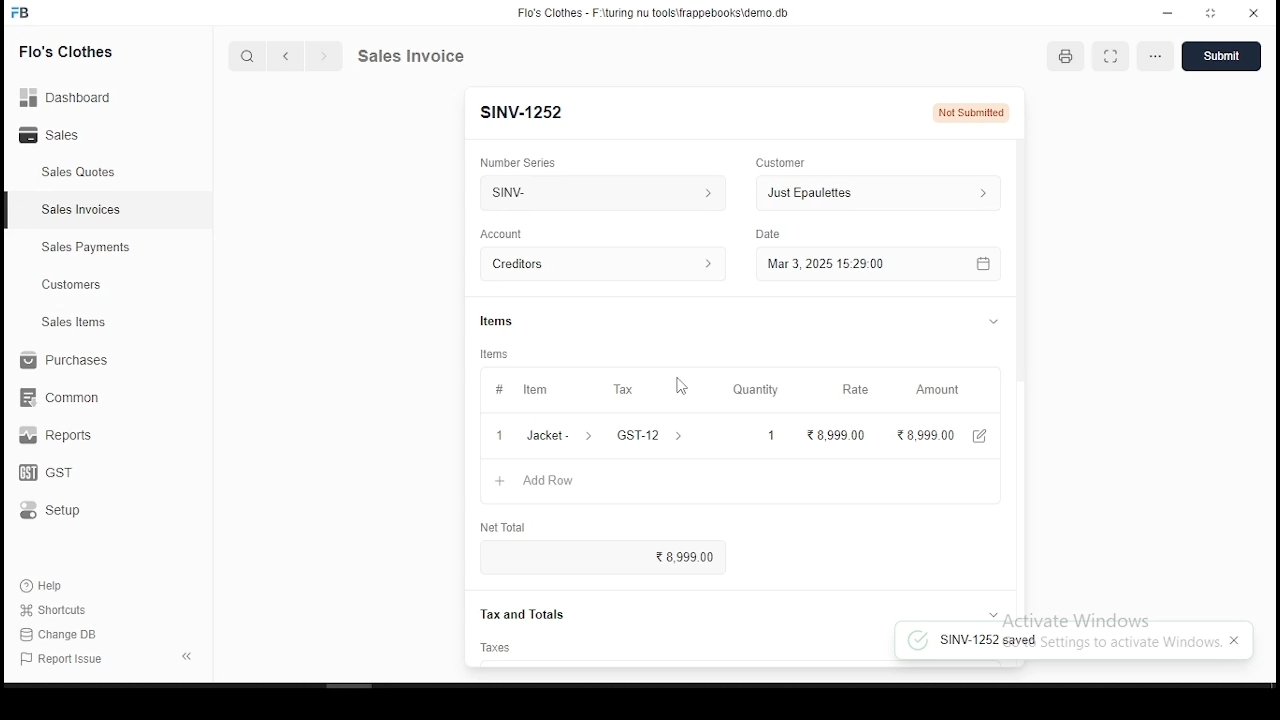  I want to click on Dashboard, so click(75, 98).